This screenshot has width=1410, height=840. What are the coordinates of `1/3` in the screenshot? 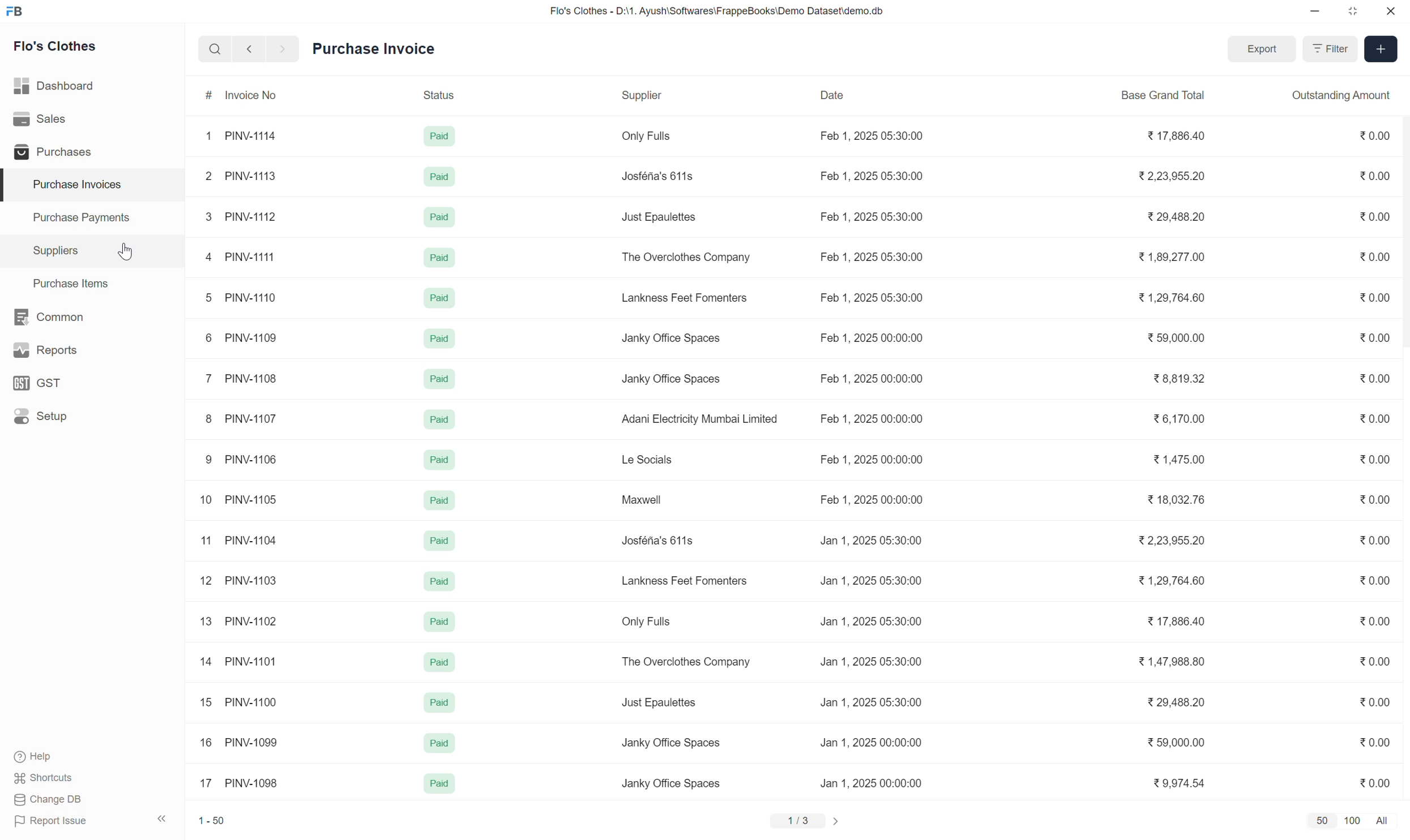 It's located at (798, 821).